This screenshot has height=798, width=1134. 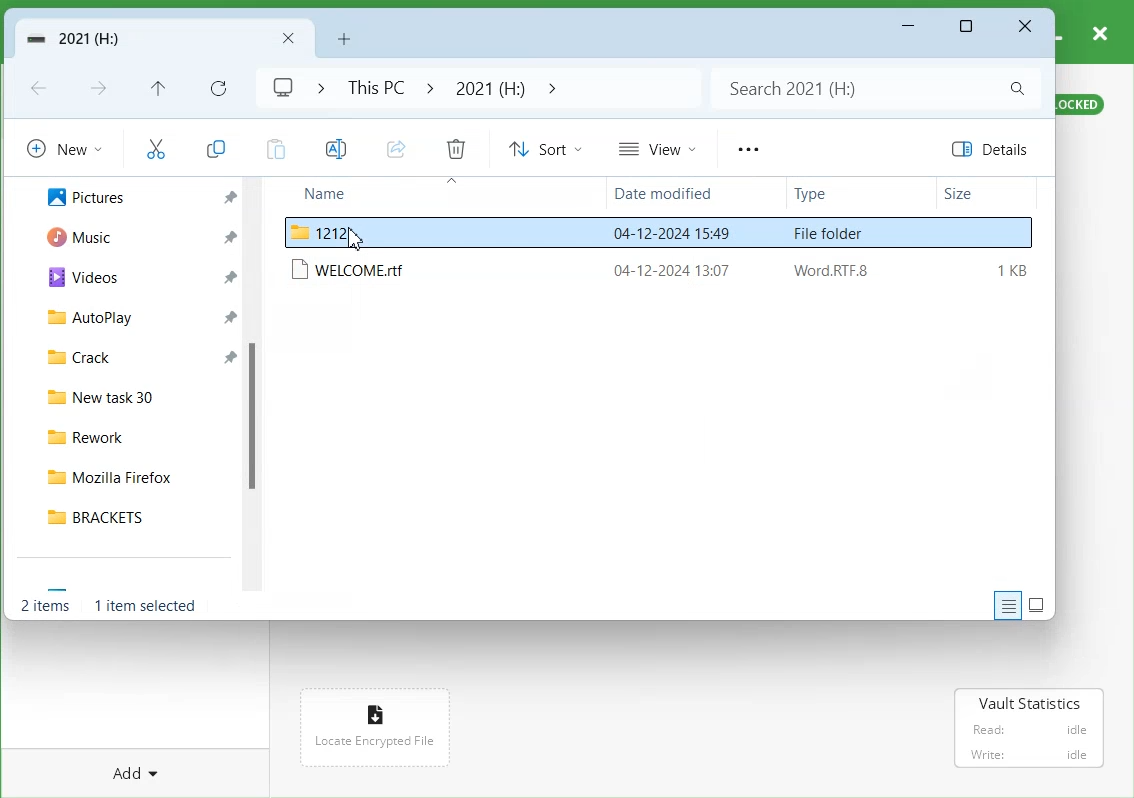 What do you see at coordinates (840, 195) in the screenshot?
I see `Type` at bounding box center [840, 195].